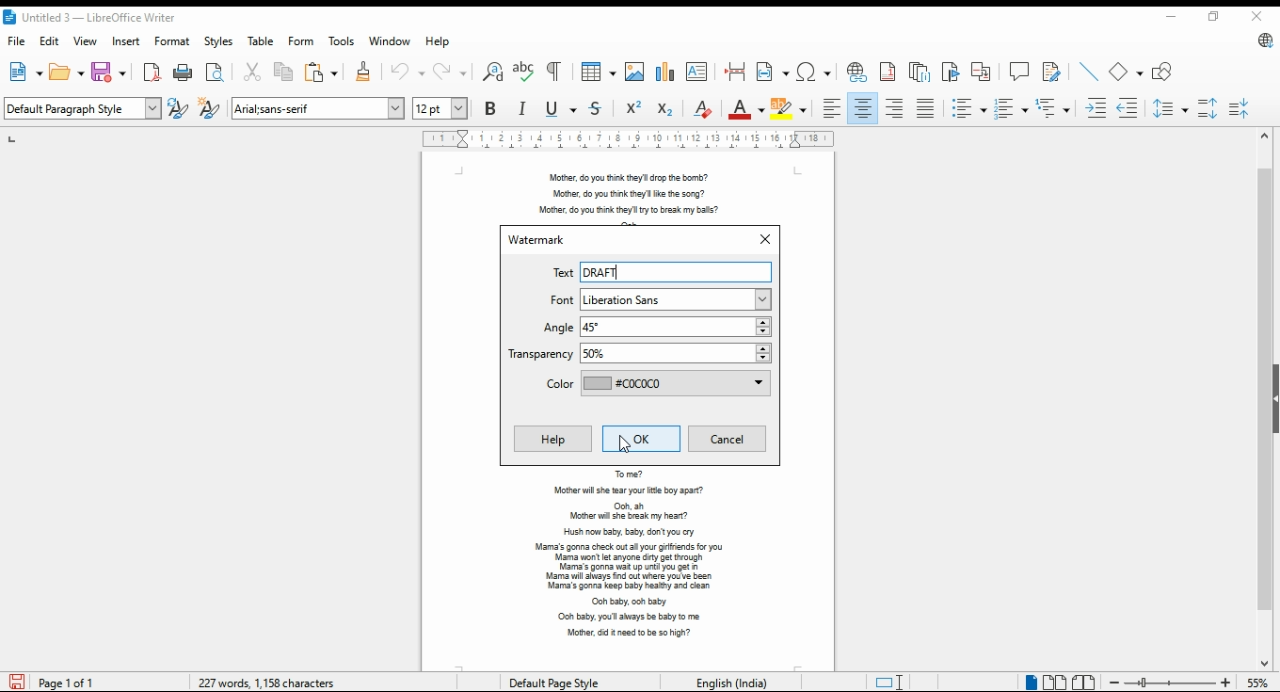 The width and height of the screenshot is (1280, 692). Describe the element at coordinates (626, 446) in the screenshot. I see `mouse pointer` at that location.